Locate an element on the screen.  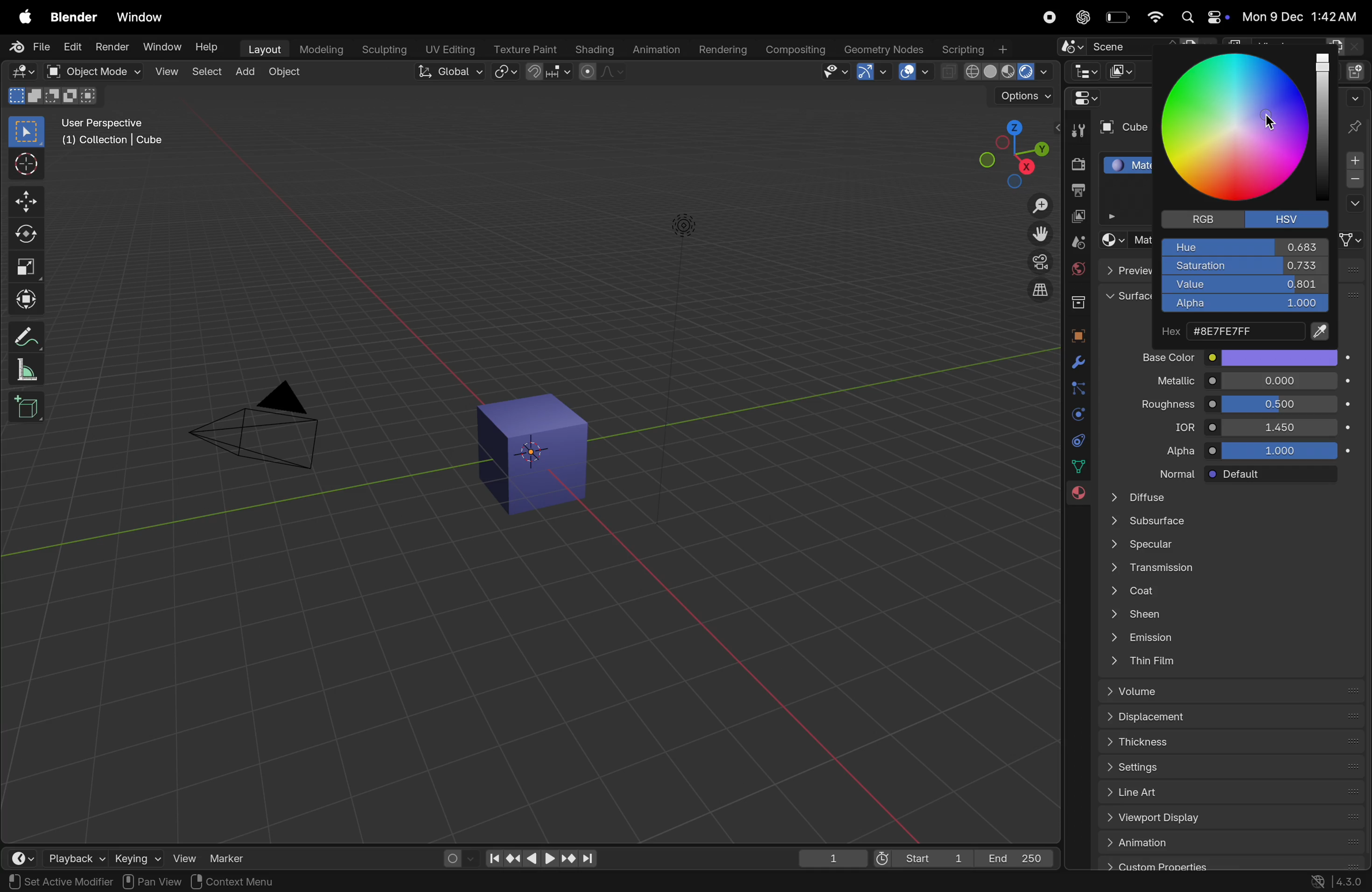
proportional editing objects is located at coordinates (601, 71).